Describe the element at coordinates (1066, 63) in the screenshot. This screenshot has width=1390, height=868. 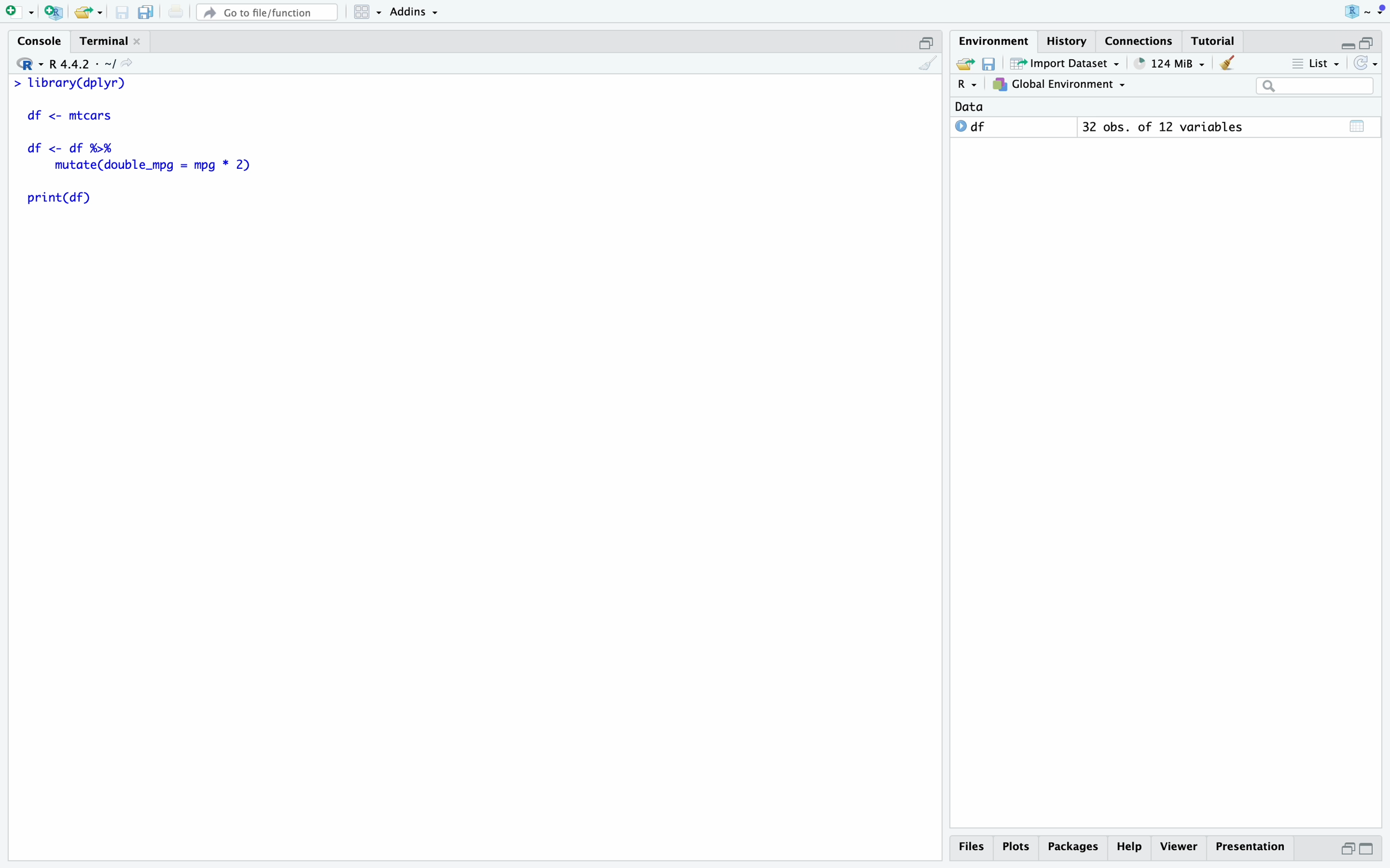
I see `Import datasets` at that location.